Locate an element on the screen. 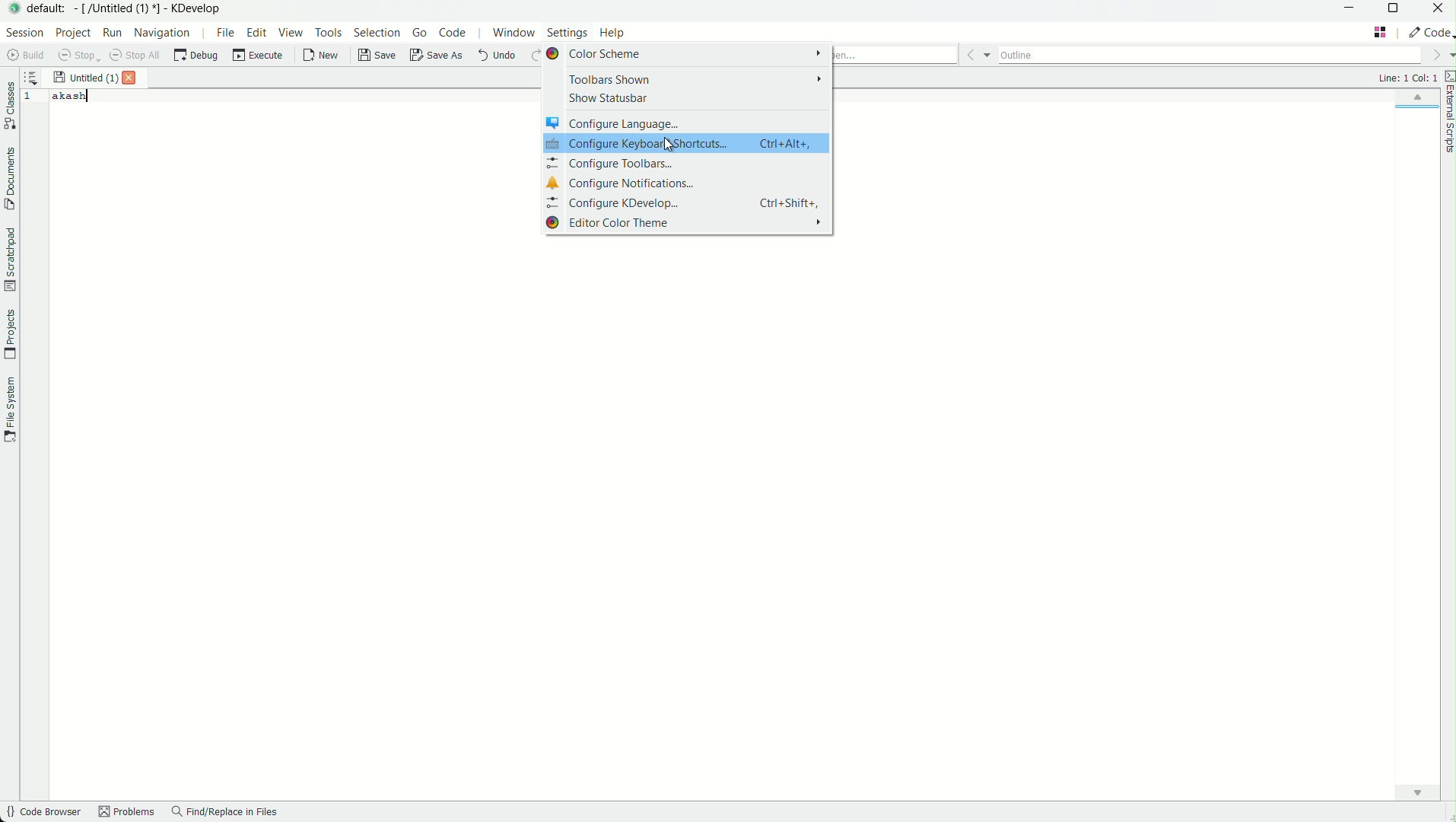  code browser is located at coordinates (42, 813).